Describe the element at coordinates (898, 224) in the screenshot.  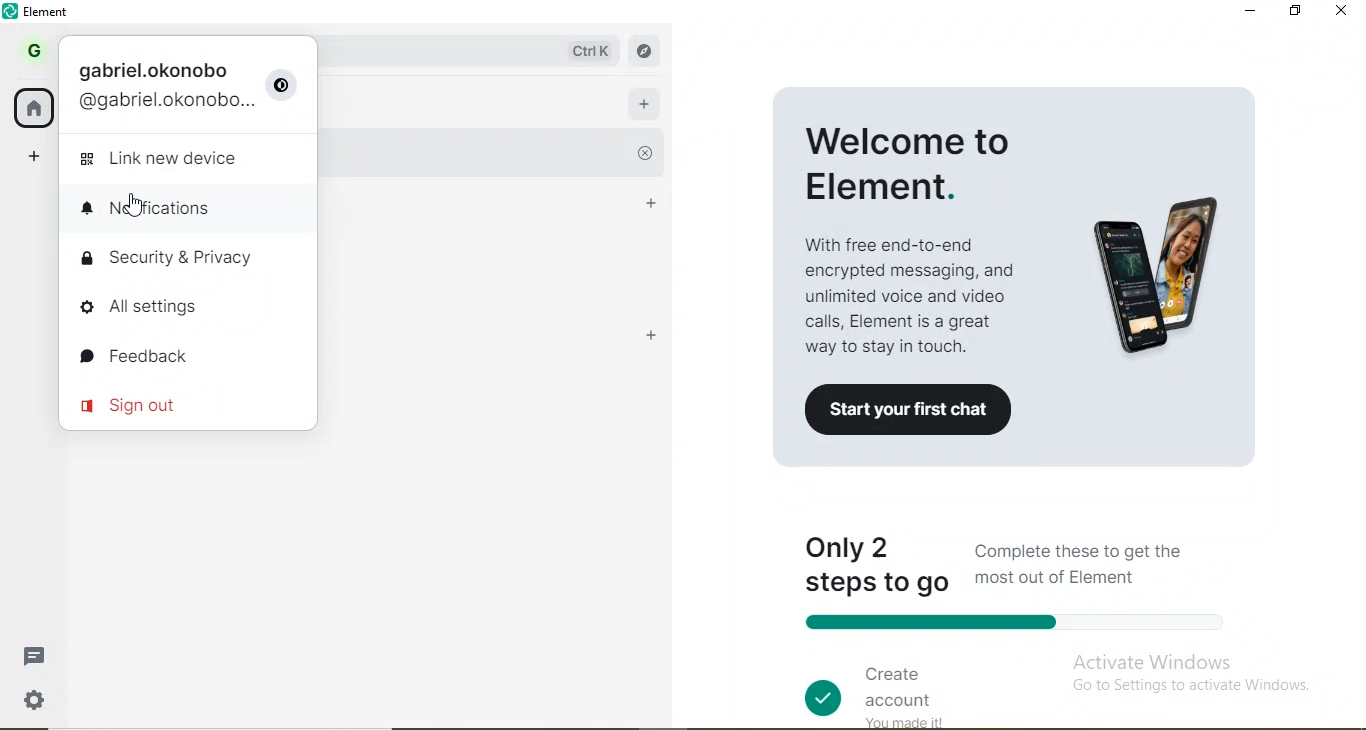
I see `welcome to element` at that location.